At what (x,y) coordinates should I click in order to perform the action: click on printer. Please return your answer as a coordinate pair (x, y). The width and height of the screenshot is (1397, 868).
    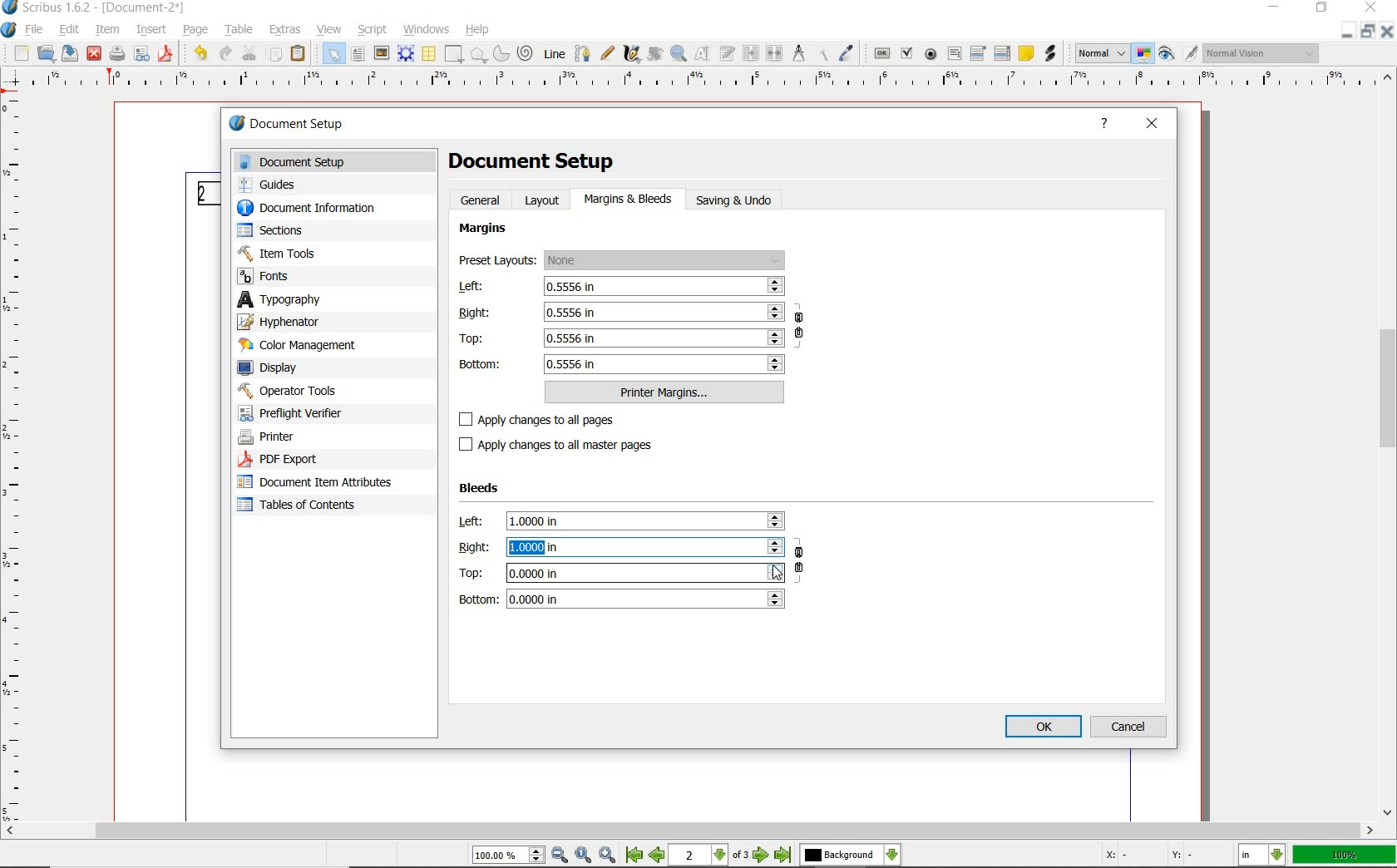
    Looking at the image, I should click on (269, 436).